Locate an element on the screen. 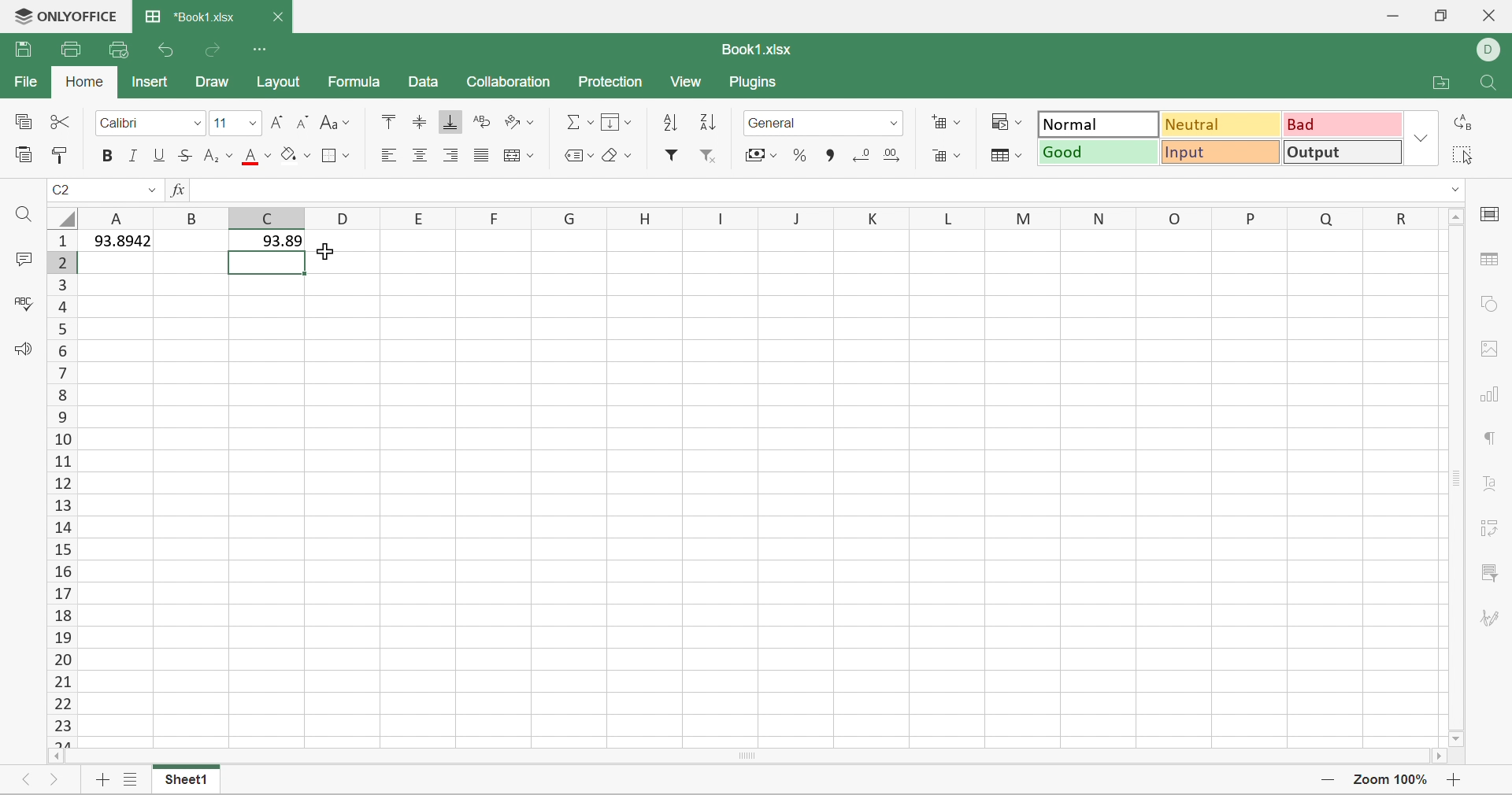 The image size is (1512, 795). Borders is located at coordinates (335, 153).